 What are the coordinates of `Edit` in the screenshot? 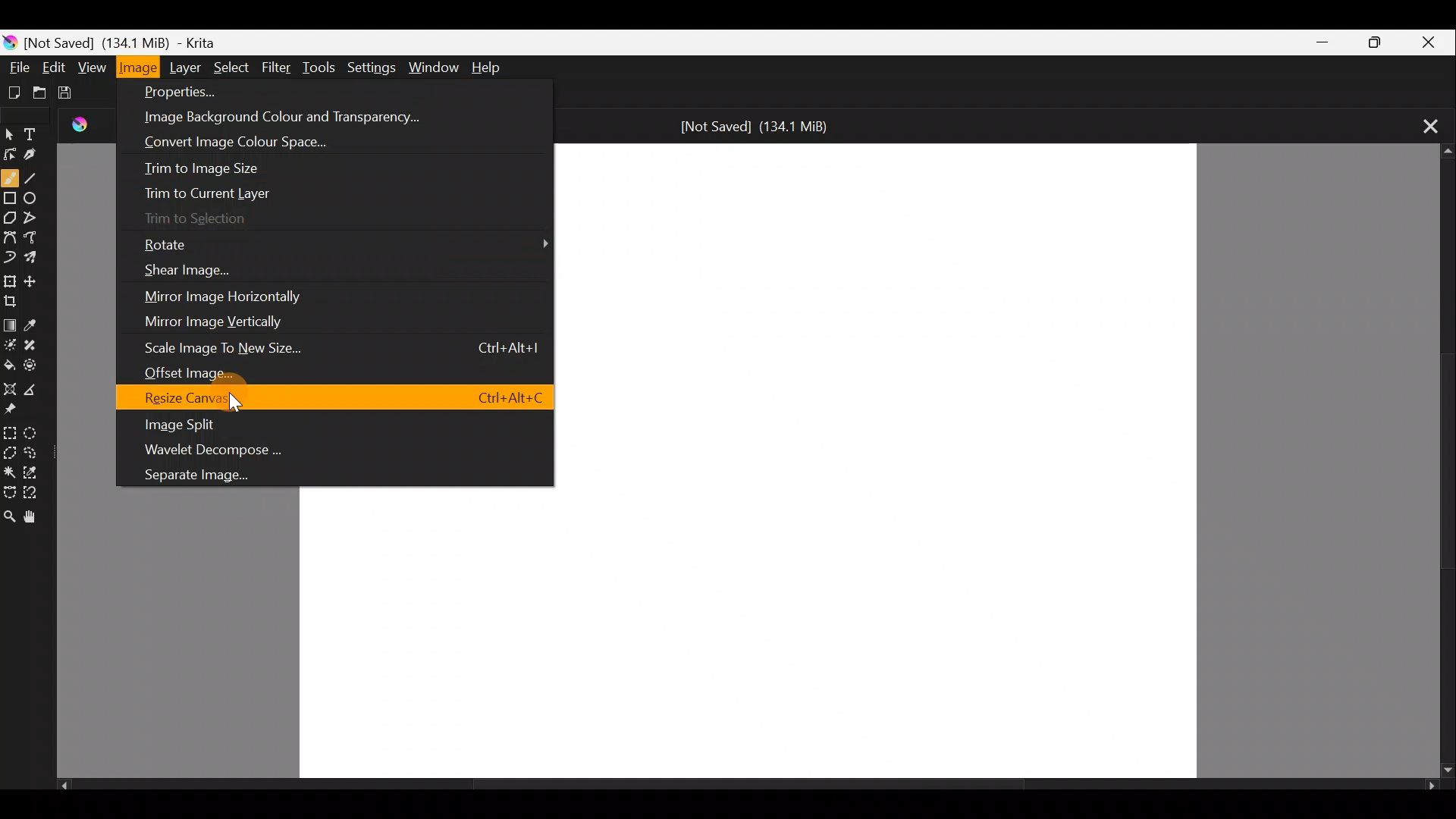 It's located at (55, 67).